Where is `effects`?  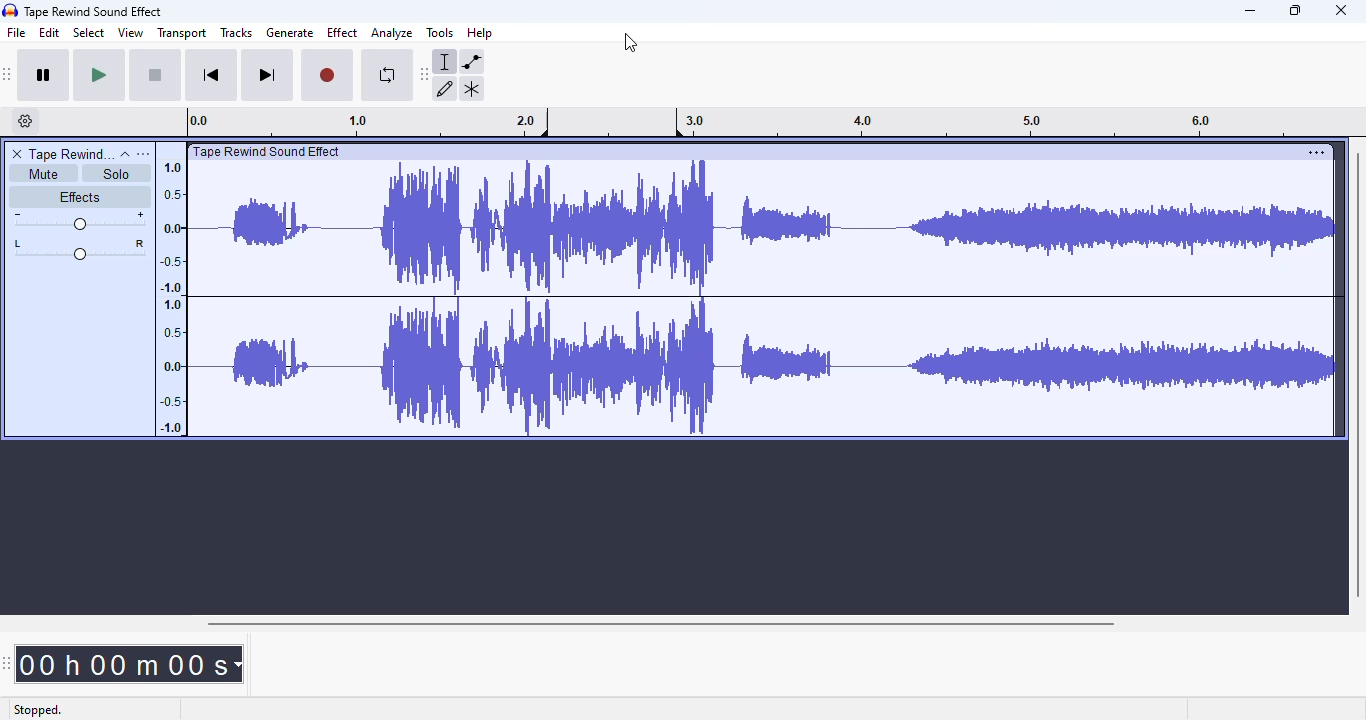 effects is located at coordinates (79, 199).